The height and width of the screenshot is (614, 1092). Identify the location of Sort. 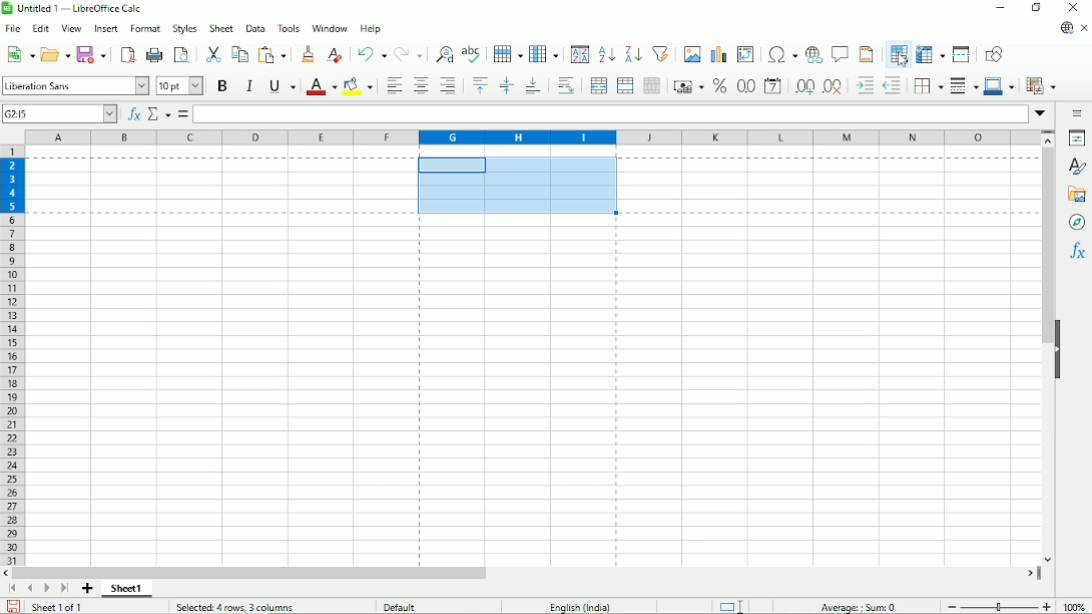
(579, 54).